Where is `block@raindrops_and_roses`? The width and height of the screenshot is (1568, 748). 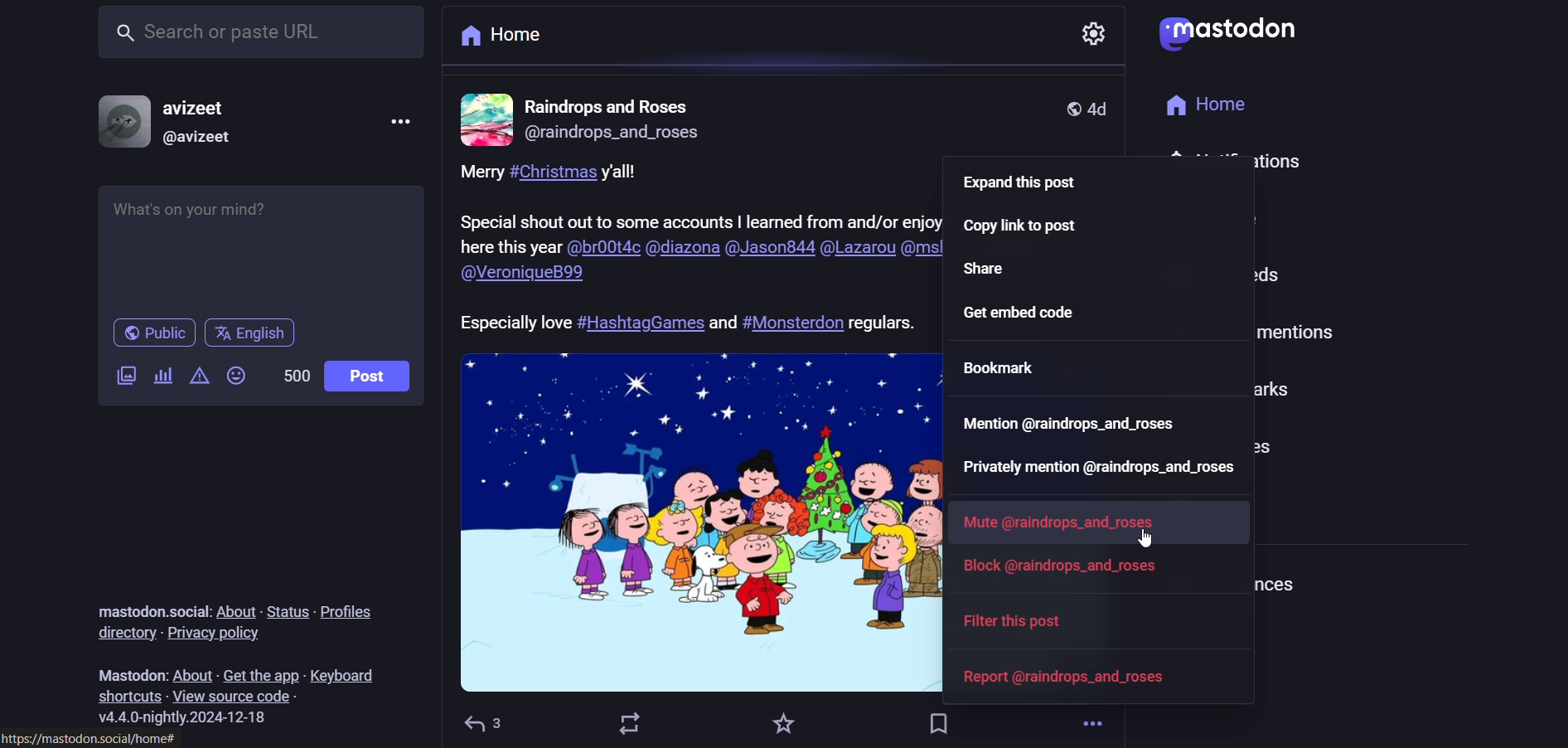
block@raindrops_and_roses is located at coordinates (1075, 569).